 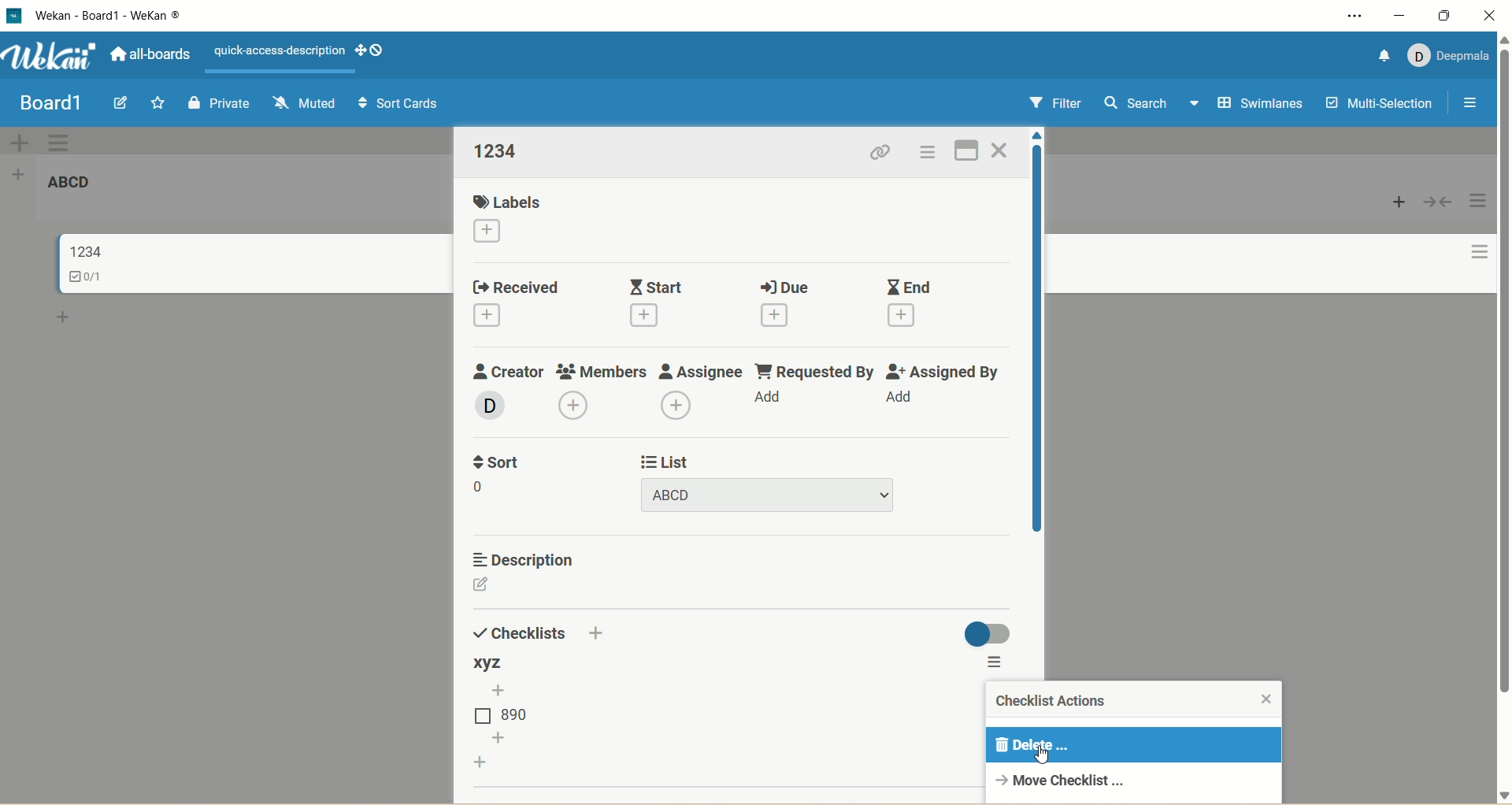 What do you see at coordinates (1377, 105) in the screenshot?
I see `multi-selection` at bounding box center [1377, 105].